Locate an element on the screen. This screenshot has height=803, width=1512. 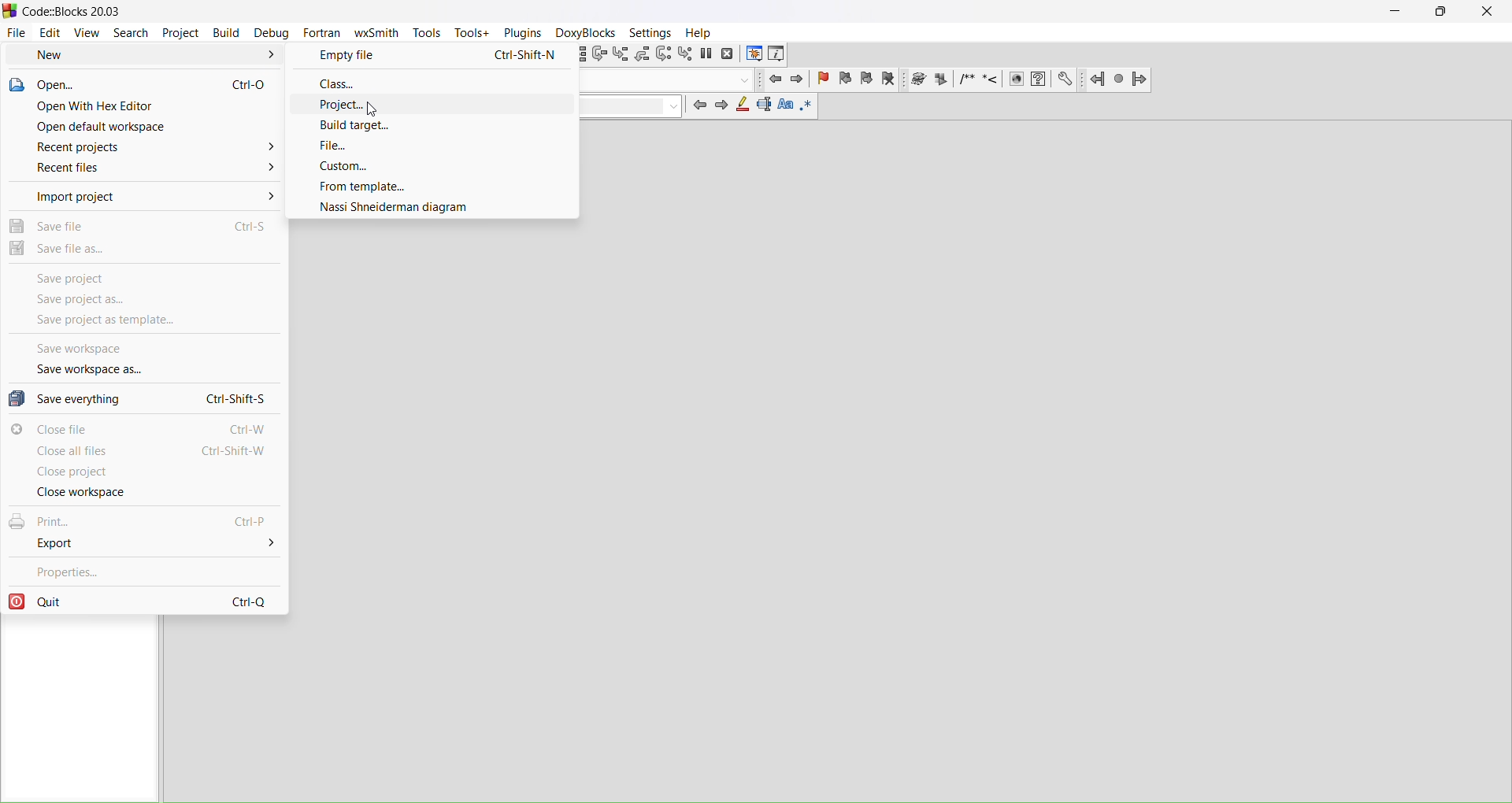
open default workspace is located at coordinates (141, 128).